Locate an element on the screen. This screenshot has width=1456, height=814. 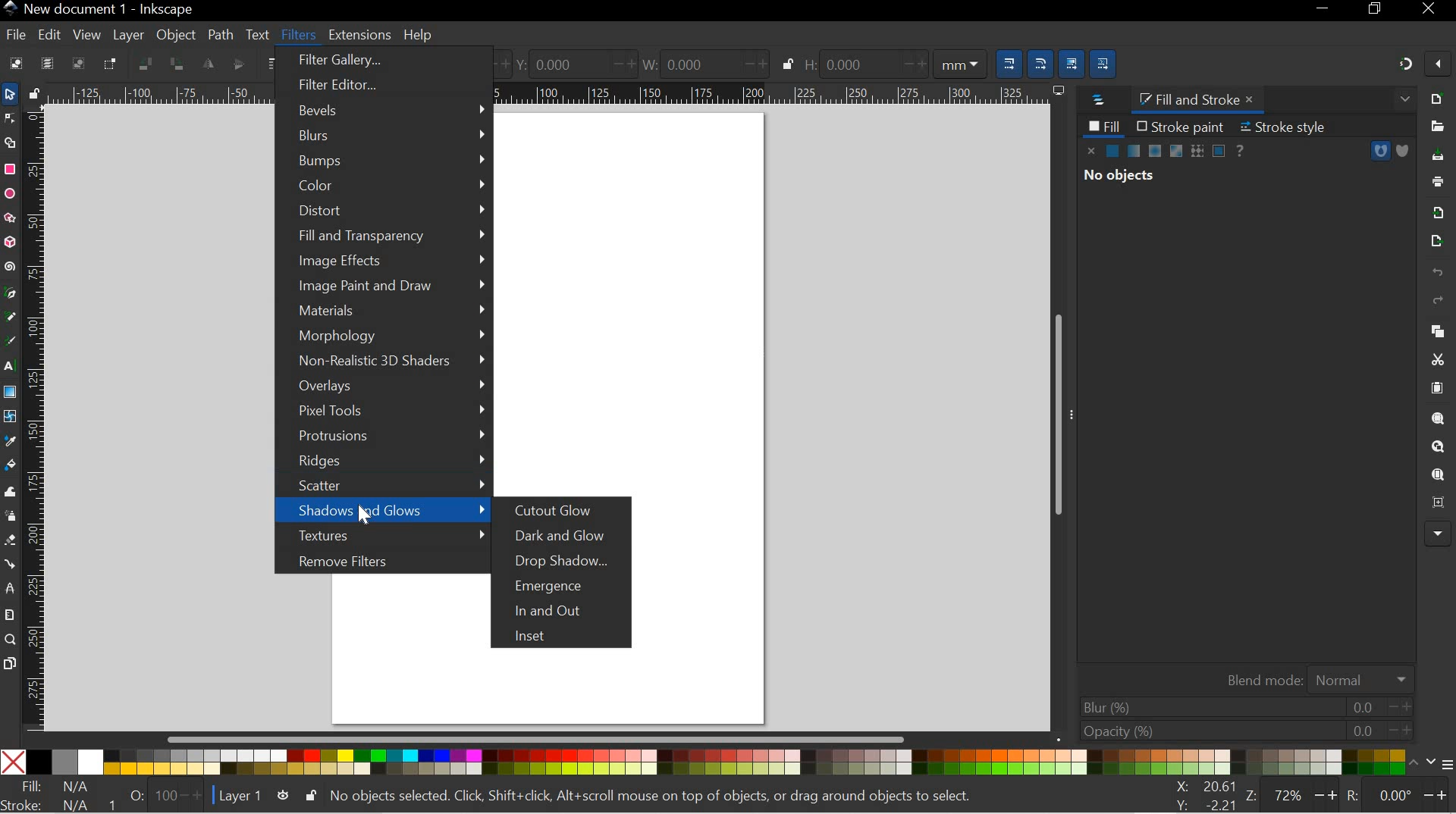
EXTENSIONS is located at coordinates (358, 35).